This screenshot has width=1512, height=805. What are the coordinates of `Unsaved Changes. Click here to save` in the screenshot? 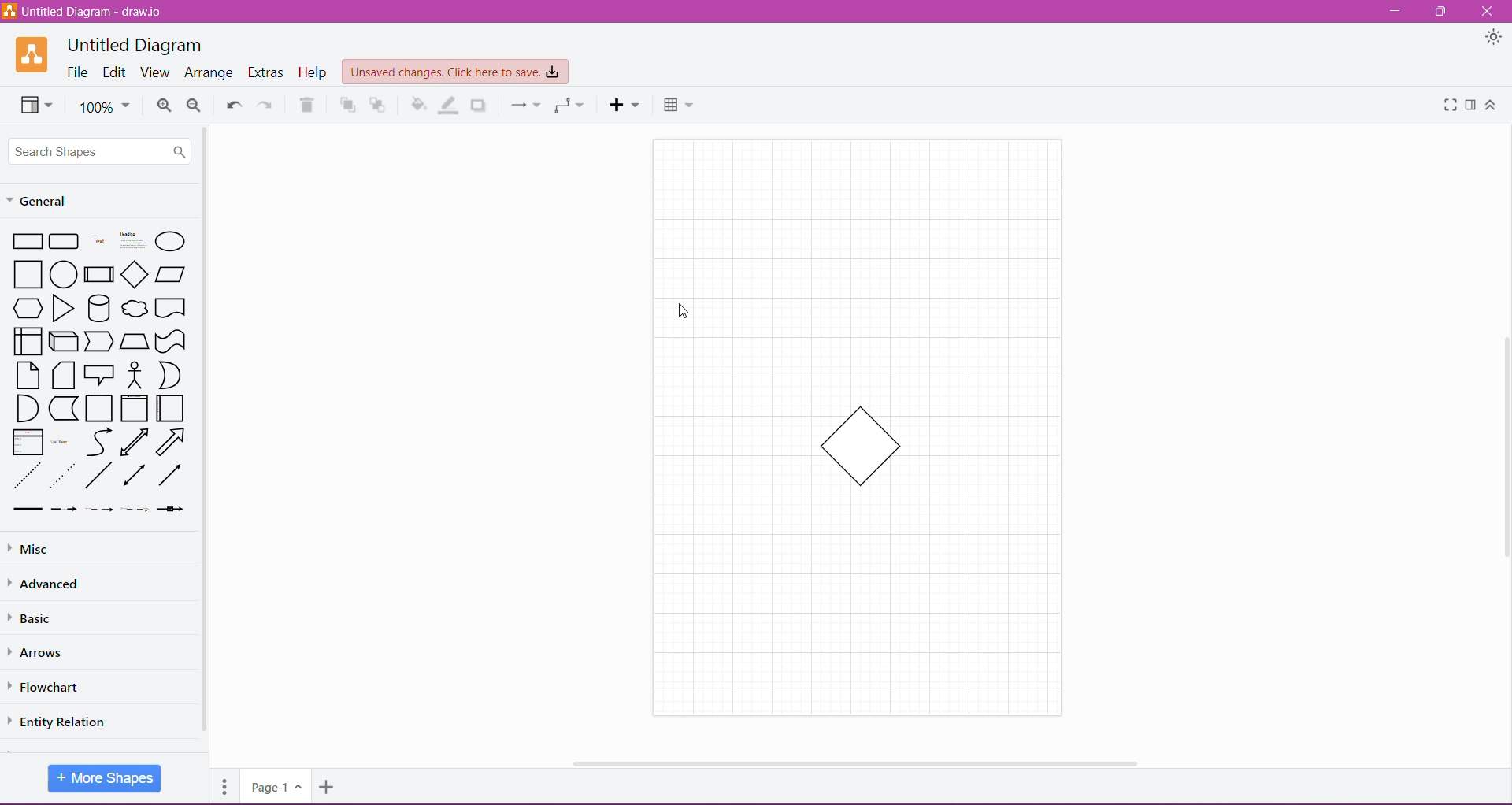 It's located at (454, 72).